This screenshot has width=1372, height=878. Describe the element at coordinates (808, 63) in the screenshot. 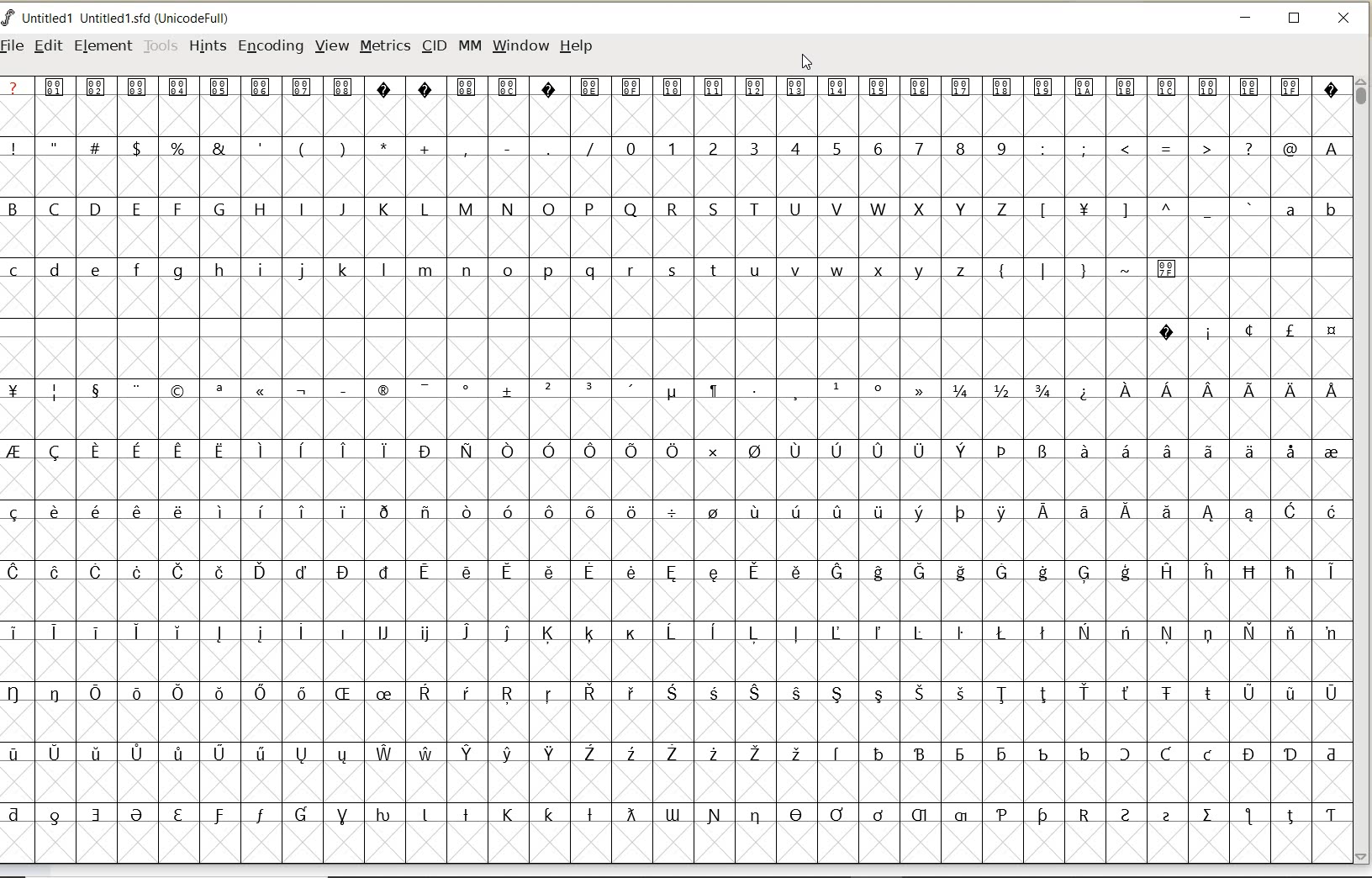

I see `CURSOR` at that location.